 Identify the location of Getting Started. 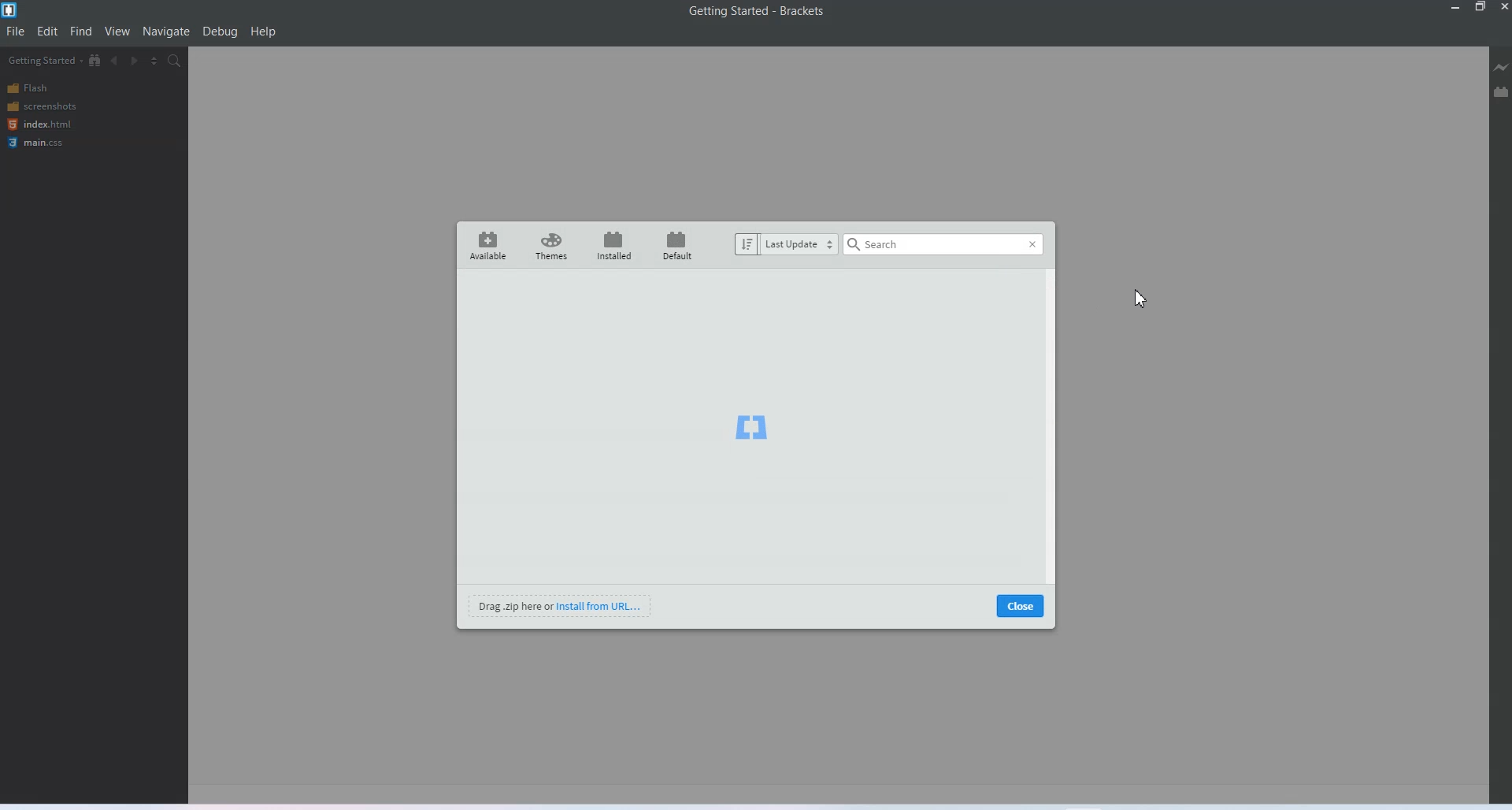
(43, 61).